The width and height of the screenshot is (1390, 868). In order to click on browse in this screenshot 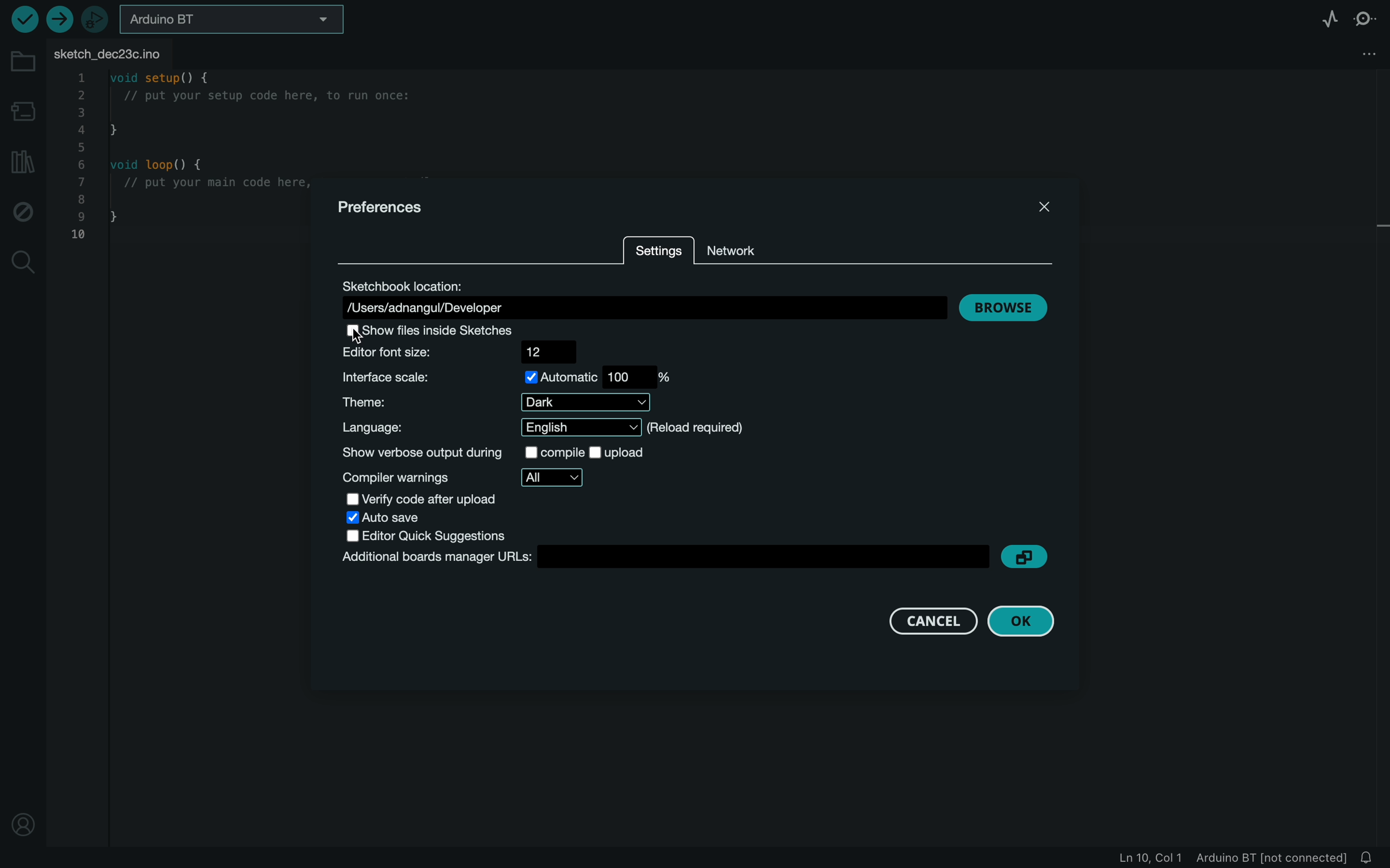, I will do `click(1005, 307)`.